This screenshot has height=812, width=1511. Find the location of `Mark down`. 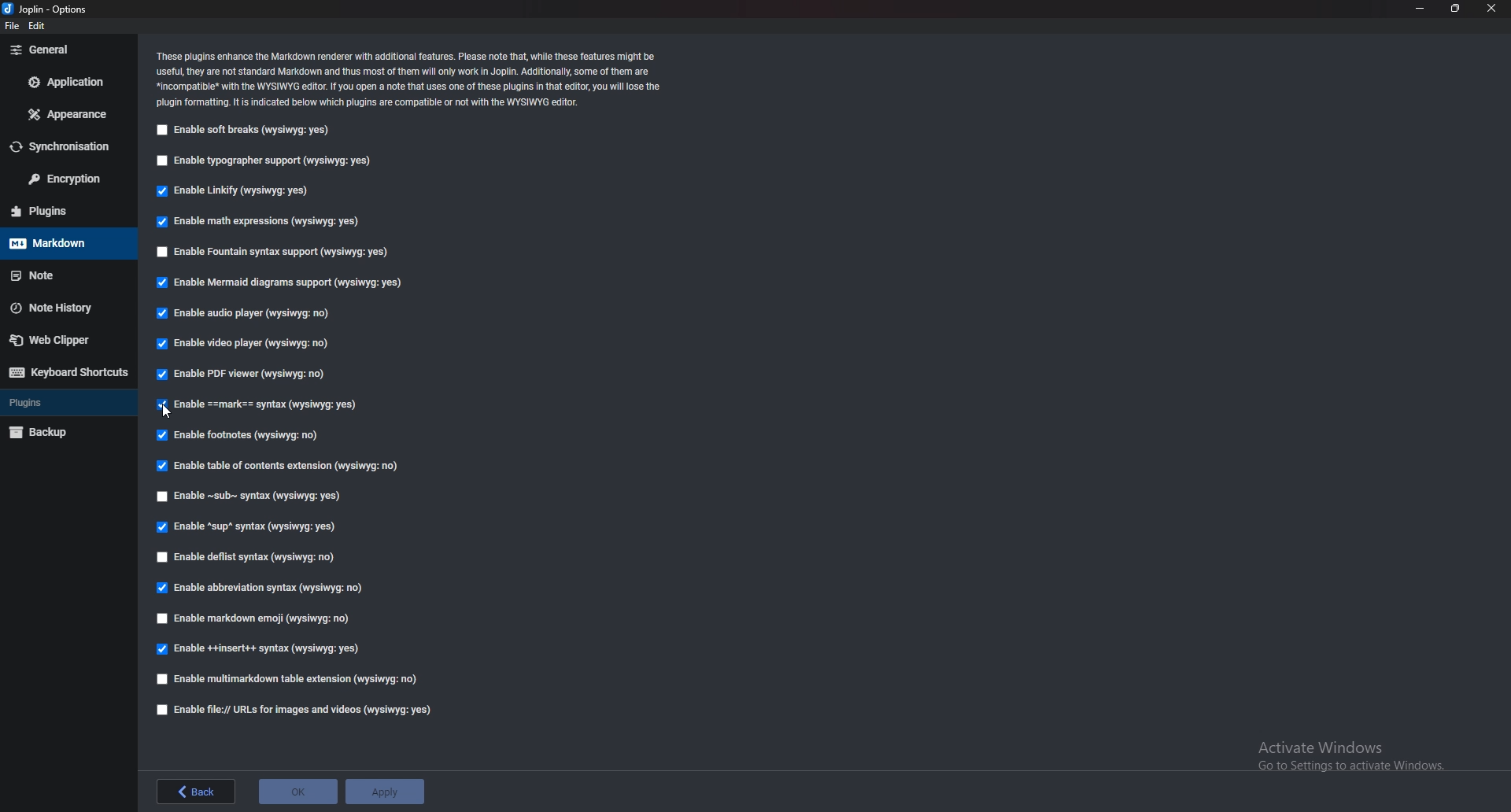

Mark down is located at coordinates (62, 243).